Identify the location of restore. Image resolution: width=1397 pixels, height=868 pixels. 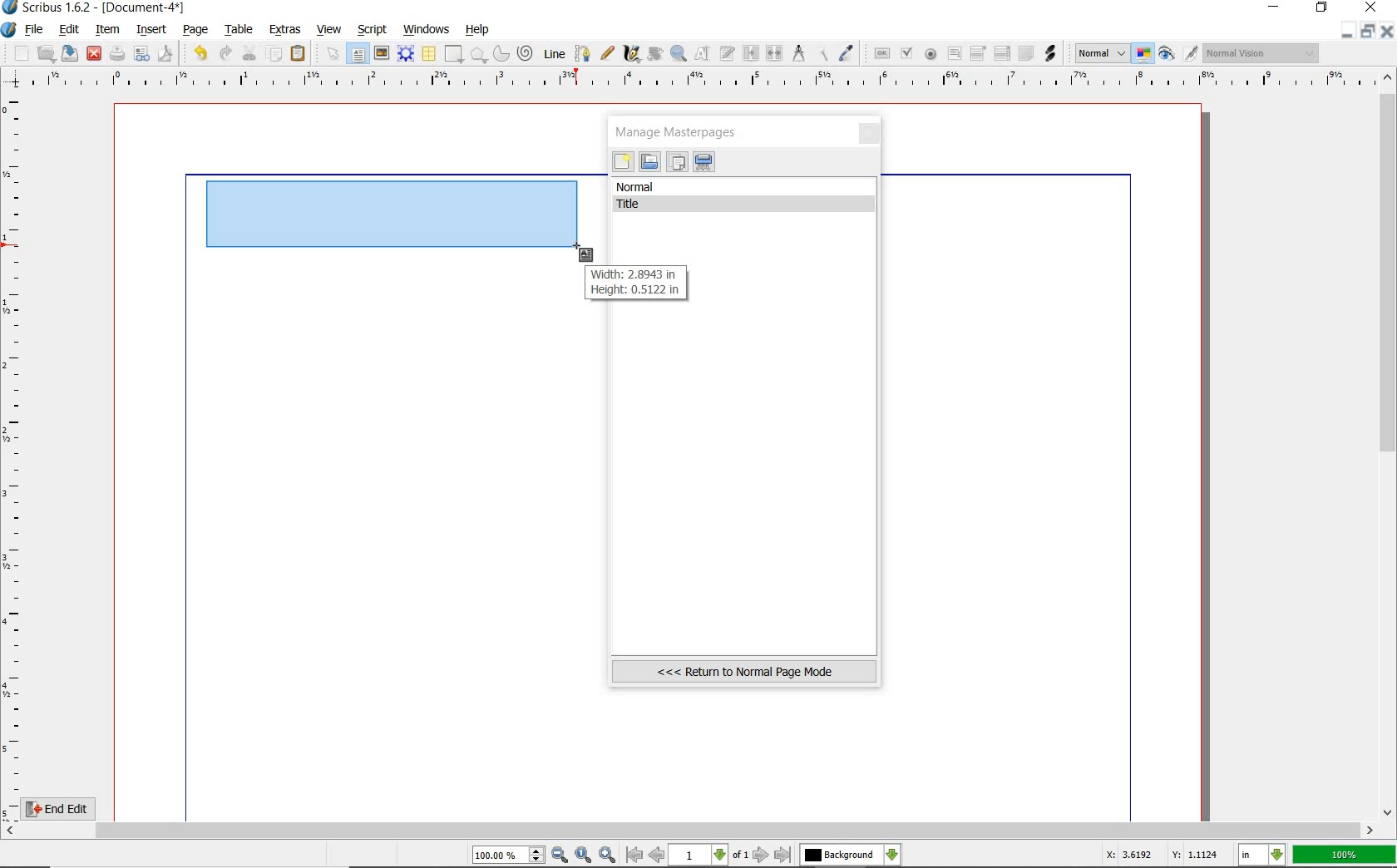
(1370, 32).